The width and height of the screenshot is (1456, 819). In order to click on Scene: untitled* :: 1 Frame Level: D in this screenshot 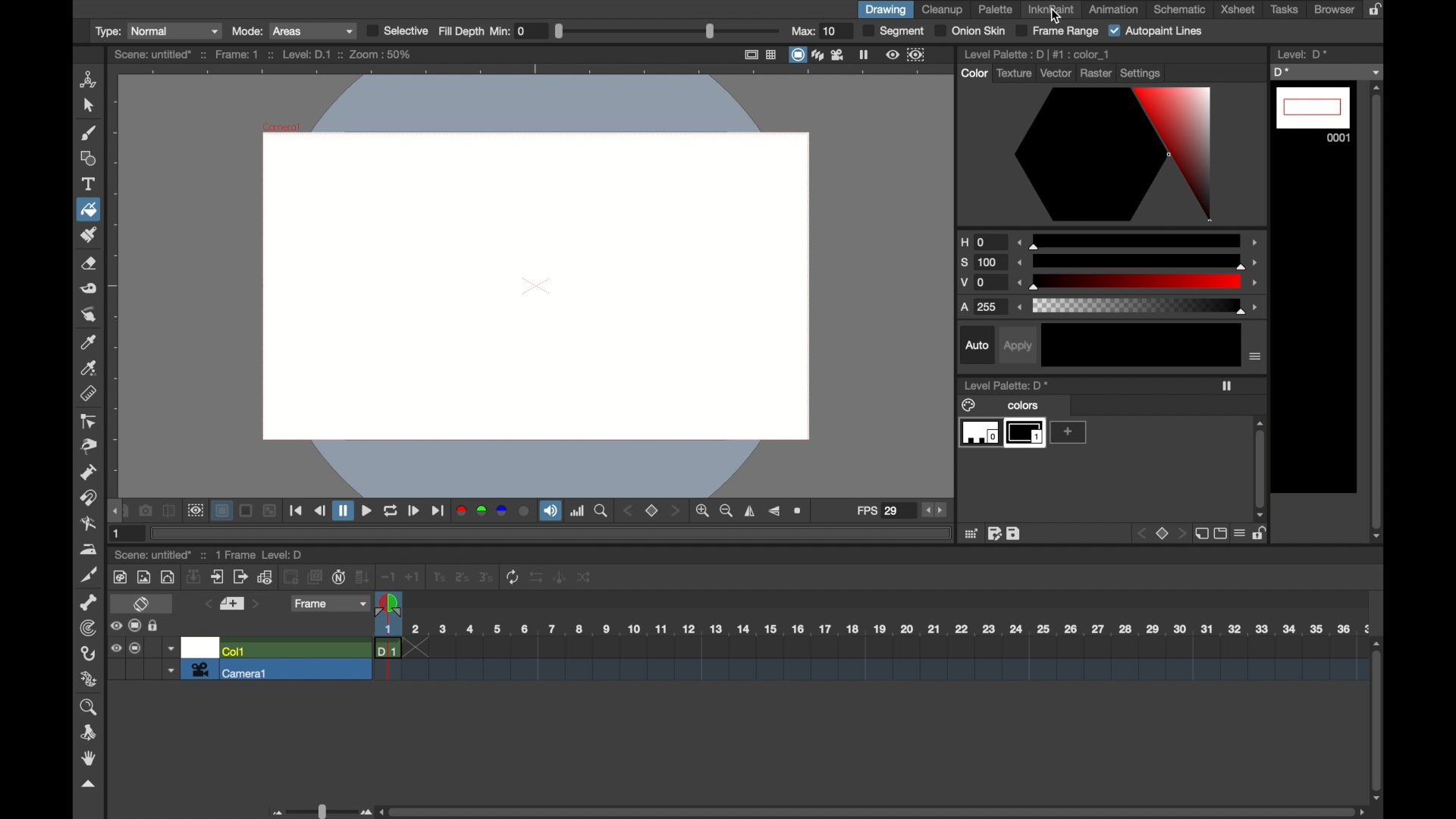, I will do `click(210, 554)`.